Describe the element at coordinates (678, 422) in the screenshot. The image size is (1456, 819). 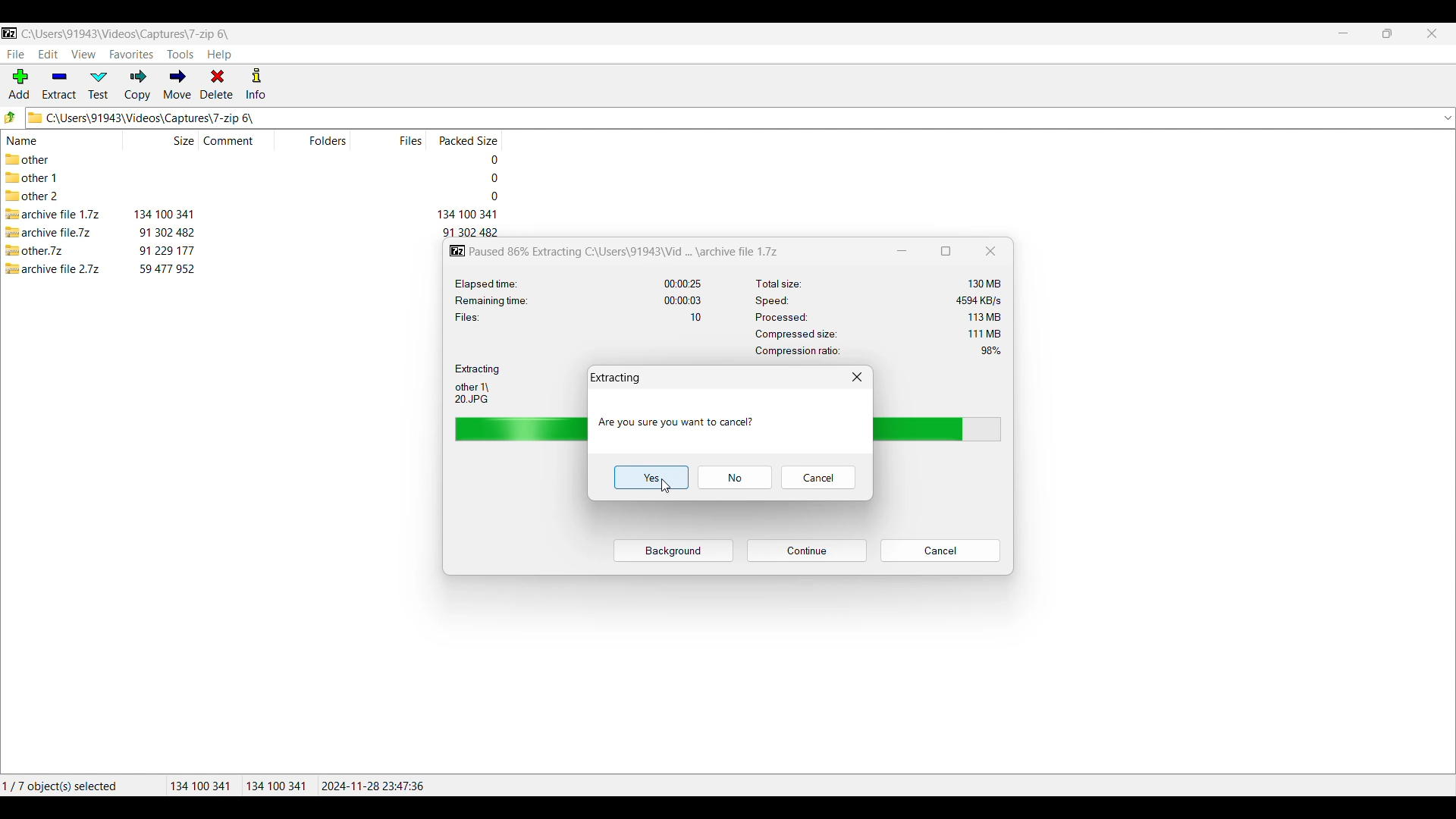
I see `Are you sure you want to cancel?` at that location.